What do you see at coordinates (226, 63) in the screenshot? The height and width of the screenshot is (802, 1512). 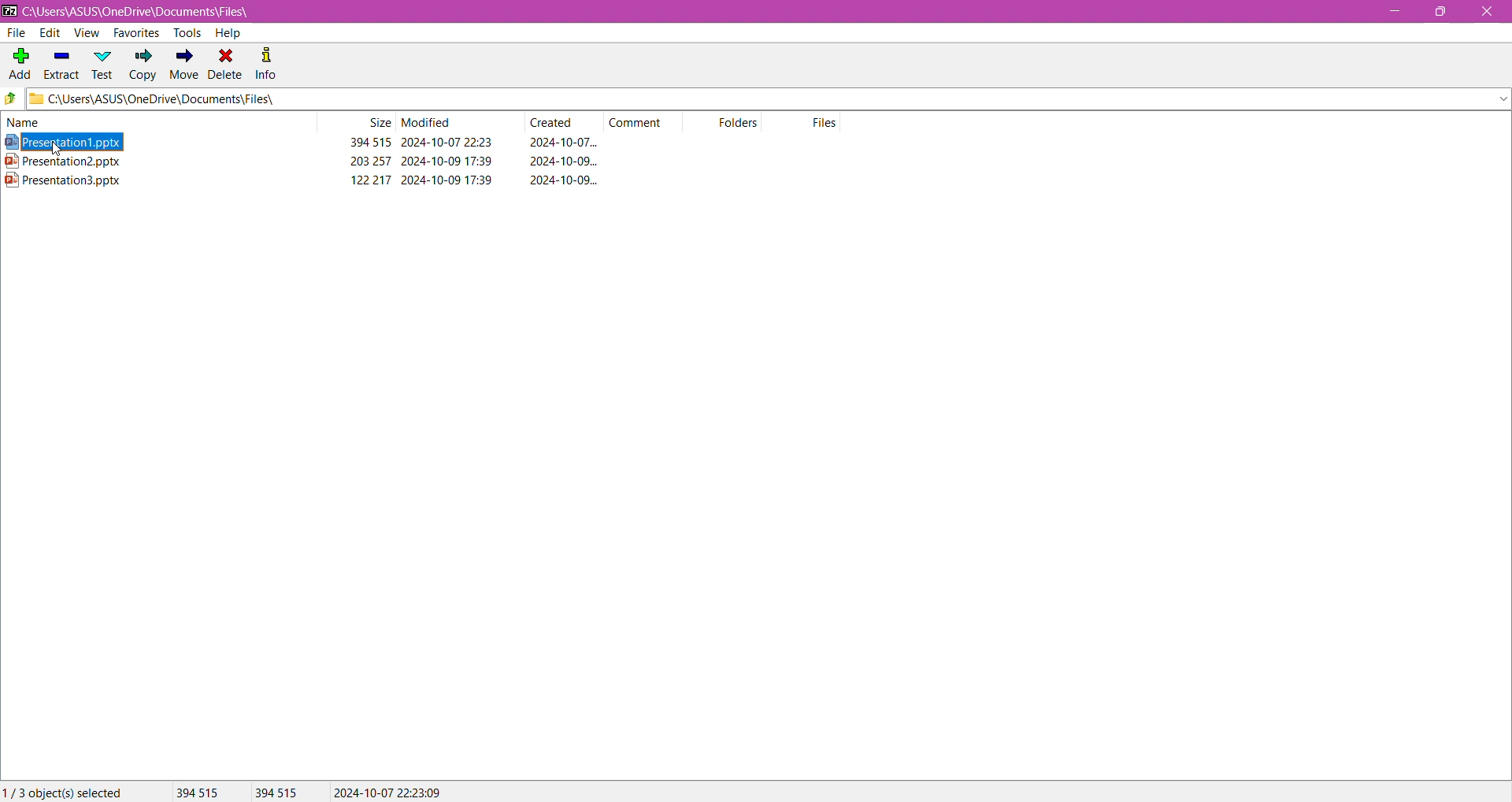 I see `Delete` at bounding box center [226, 63].